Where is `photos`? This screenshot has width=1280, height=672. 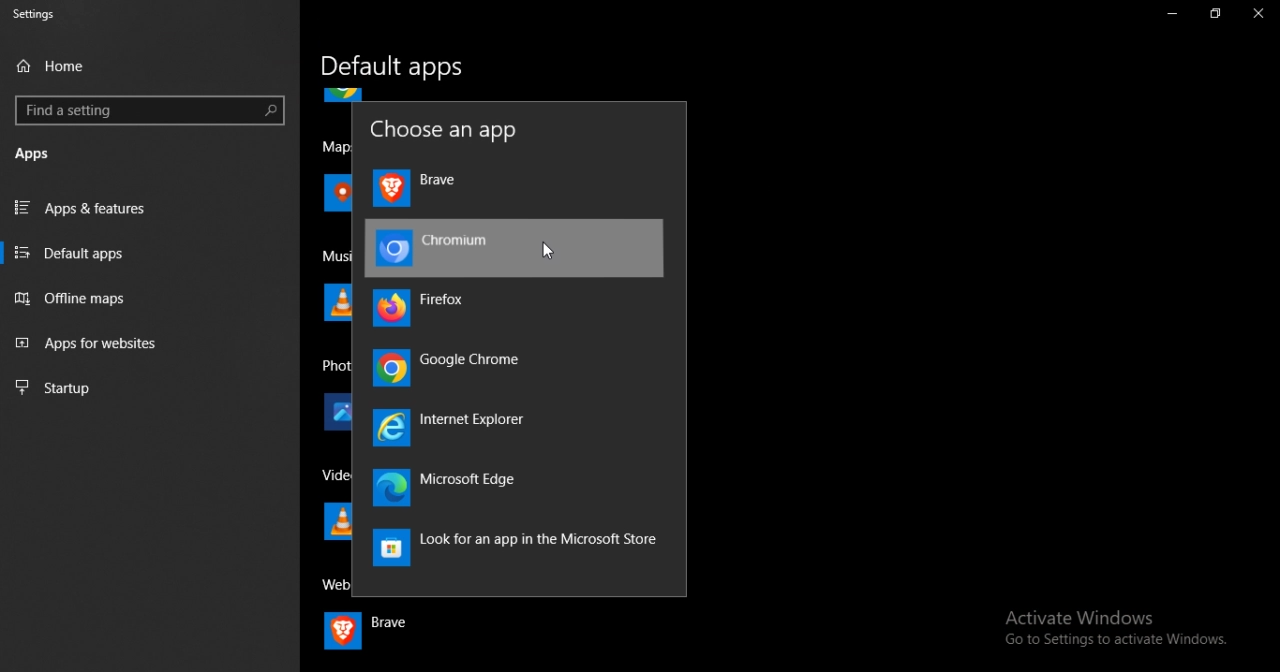 photos is located at coordinates (339, 413).